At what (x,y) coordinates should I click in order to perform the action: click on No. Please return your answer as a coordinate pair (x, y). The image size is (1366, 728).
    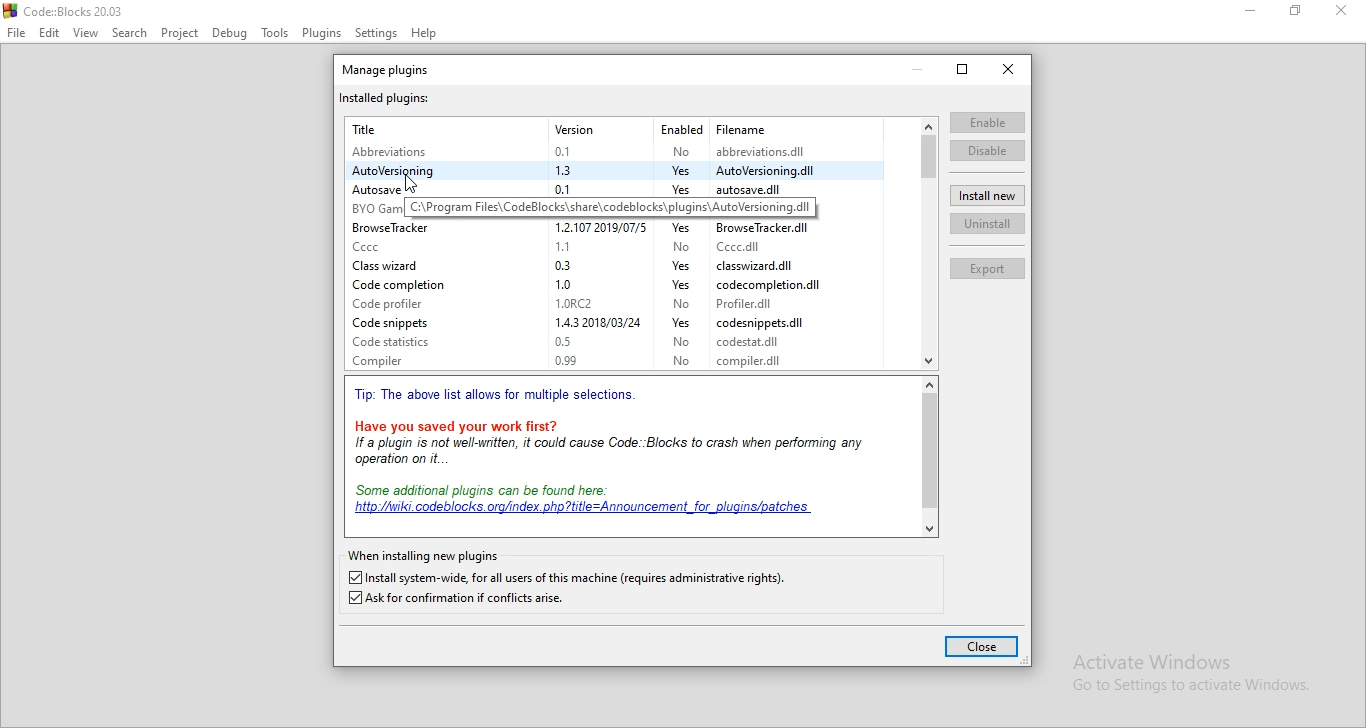
    Looking at the image, I should click on (681, 248).